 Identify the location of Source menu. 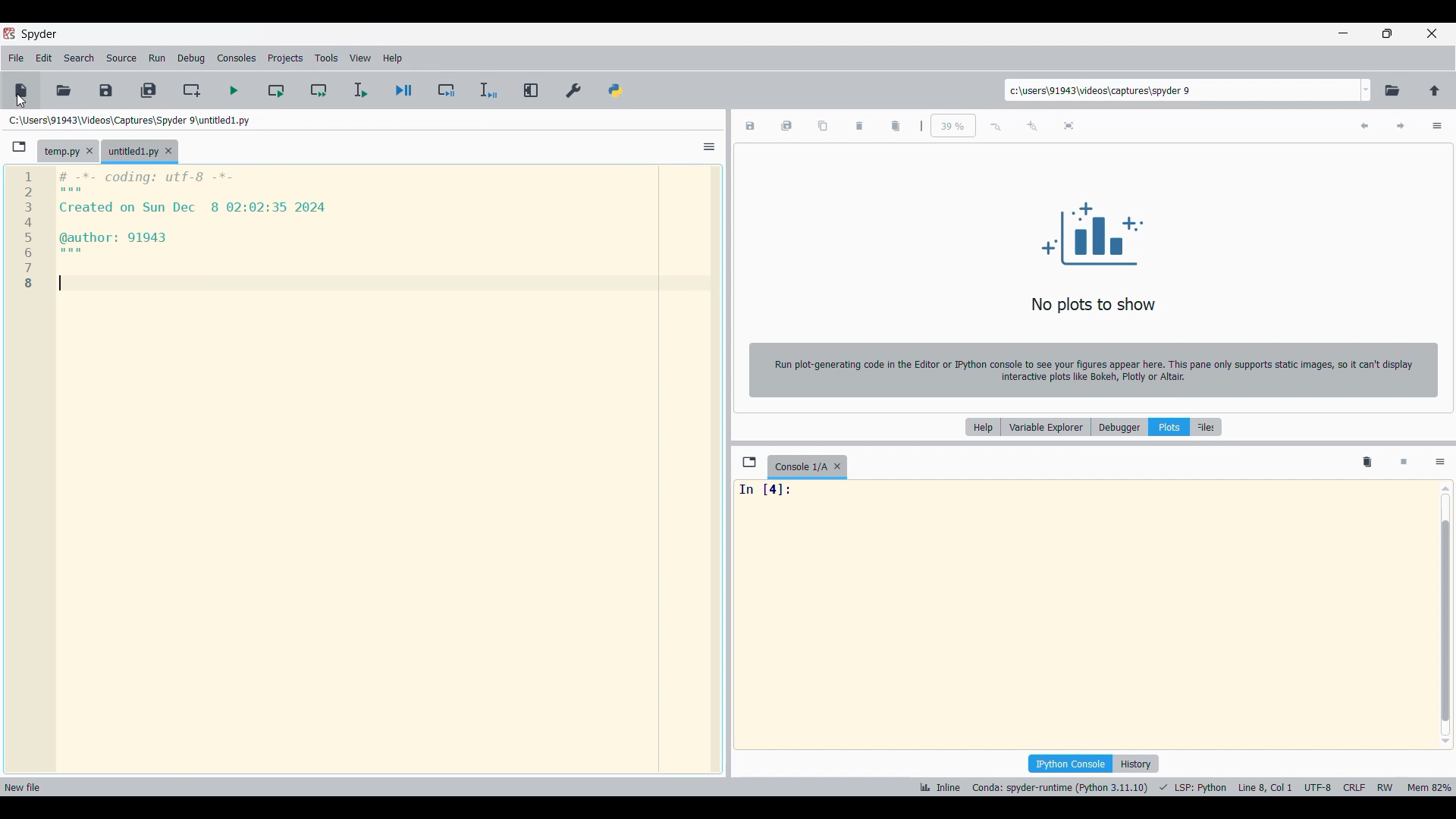
(121, 58).